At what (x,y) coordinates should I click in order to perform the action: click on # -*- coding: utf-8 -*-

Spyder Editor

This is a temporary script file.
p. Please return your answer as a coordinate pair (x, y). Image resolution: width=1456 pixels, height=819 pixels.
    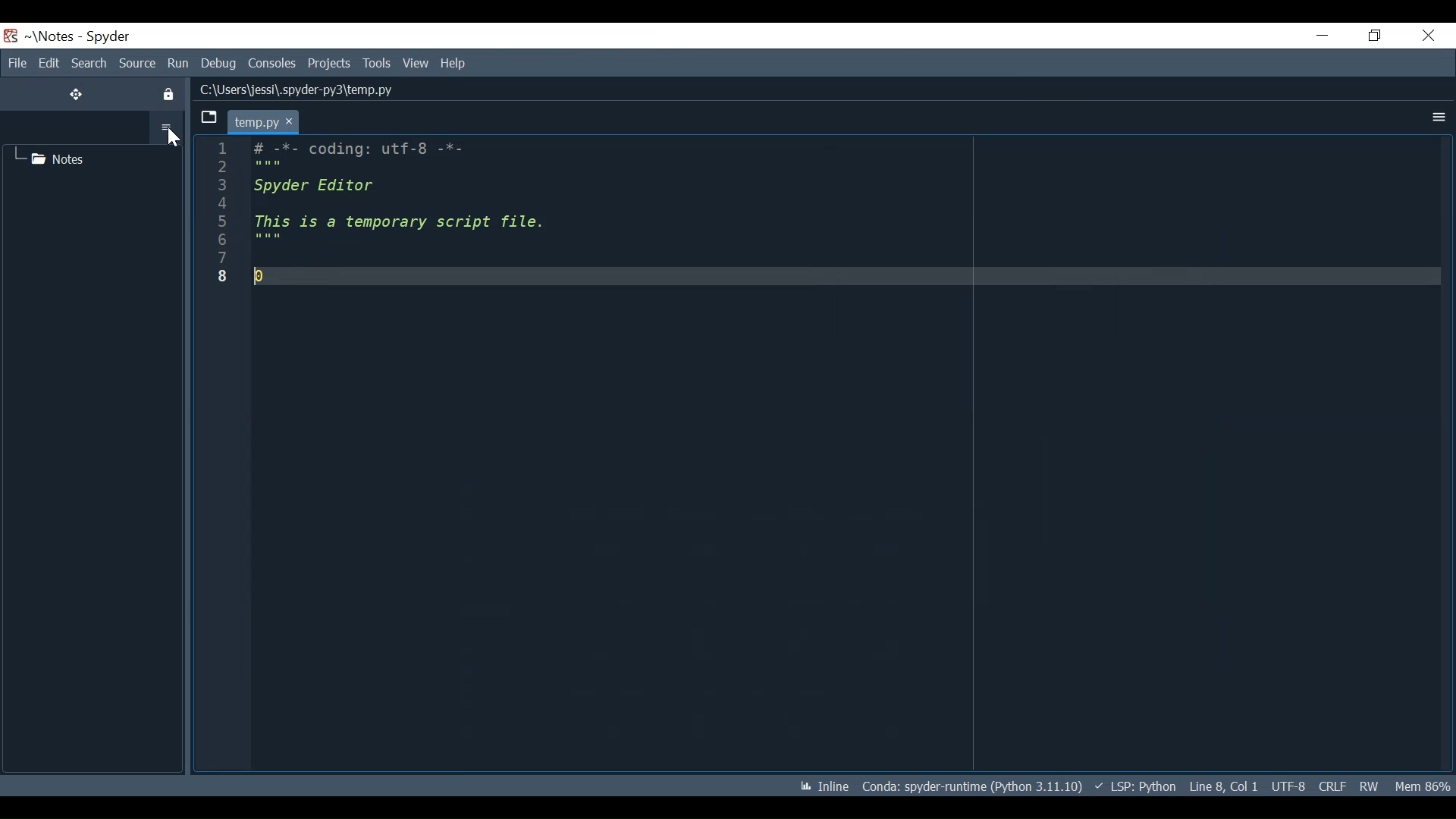
    Looking at the image, I should click on (471, 218).